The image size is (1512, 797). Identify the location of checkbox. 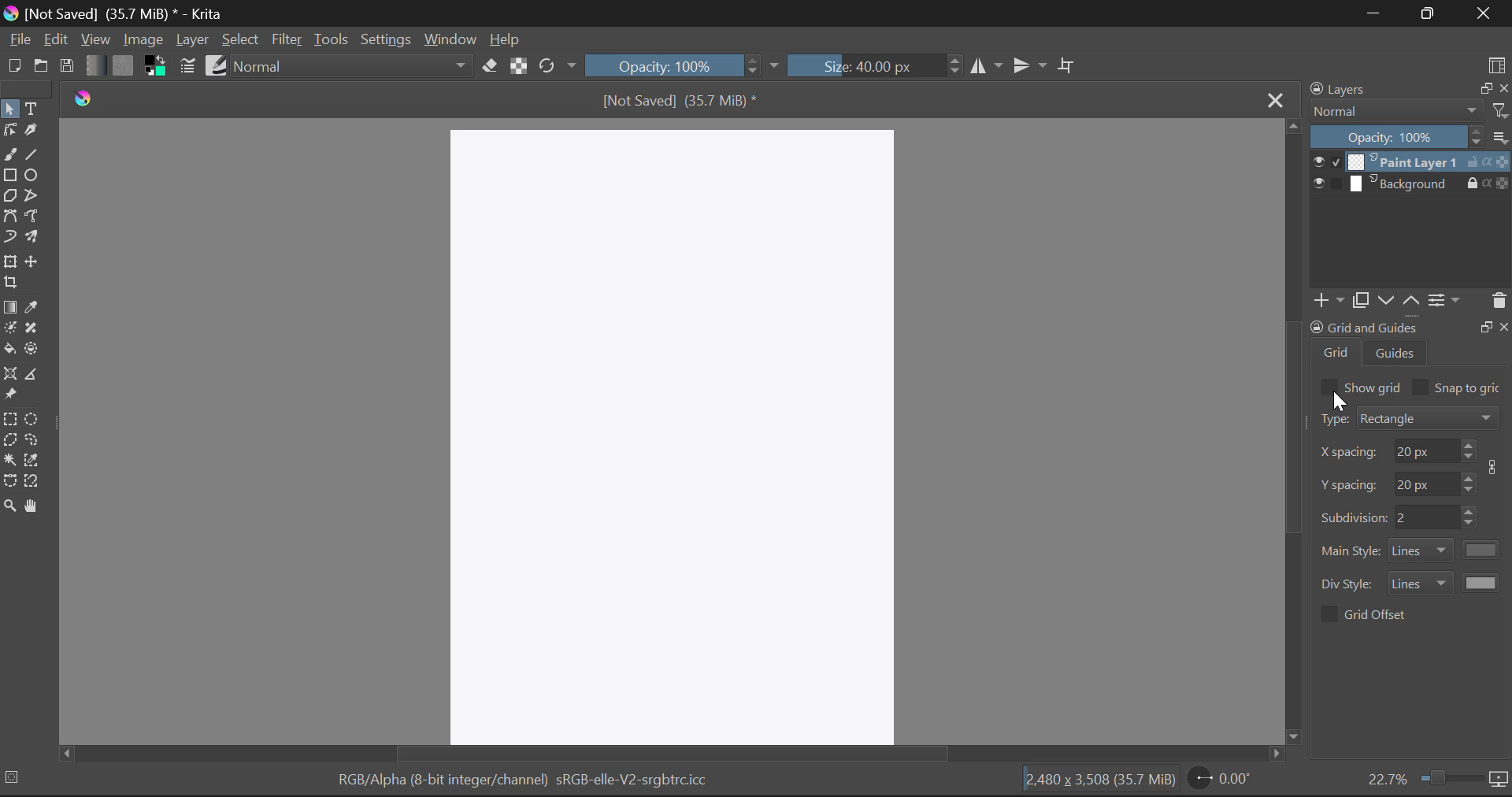
(1328, 614).